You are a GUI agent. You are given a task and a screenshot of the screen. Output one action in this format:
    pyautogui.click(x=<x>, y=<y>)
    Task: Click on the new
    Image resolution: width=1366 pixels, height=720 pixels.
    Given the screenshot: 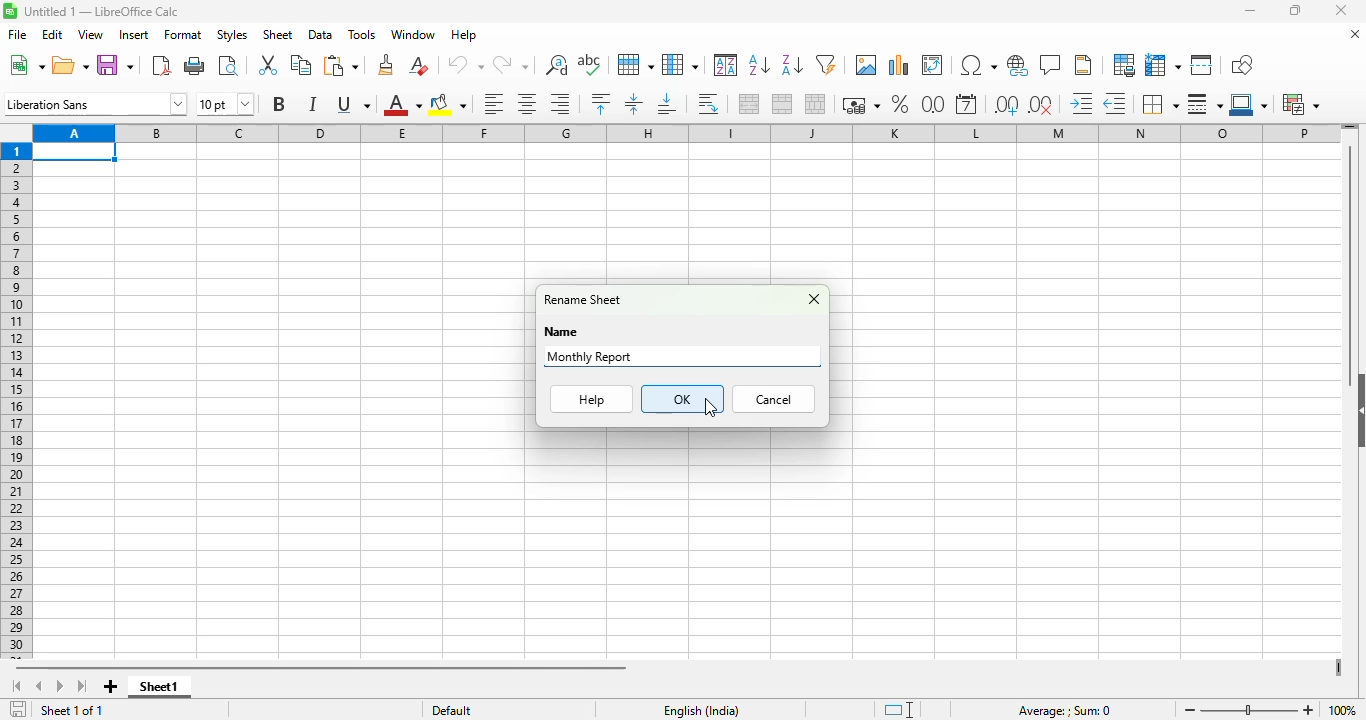 What is the action you would take?
    pyautogui.click(x=26, y=65)
    